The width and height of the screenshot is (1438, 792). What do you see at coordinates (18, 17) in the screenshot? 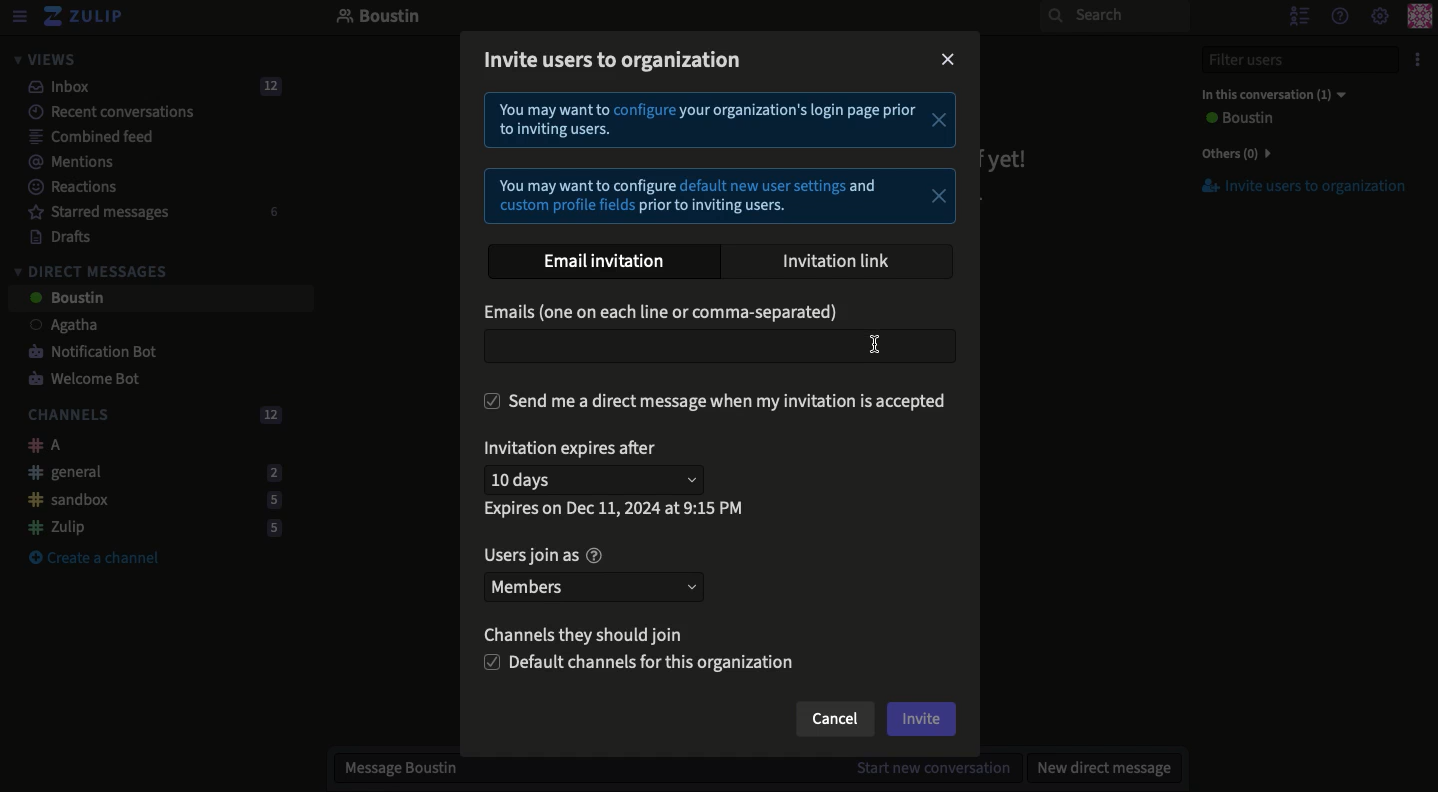
I see `View menu` at bounding box center [18, 17].